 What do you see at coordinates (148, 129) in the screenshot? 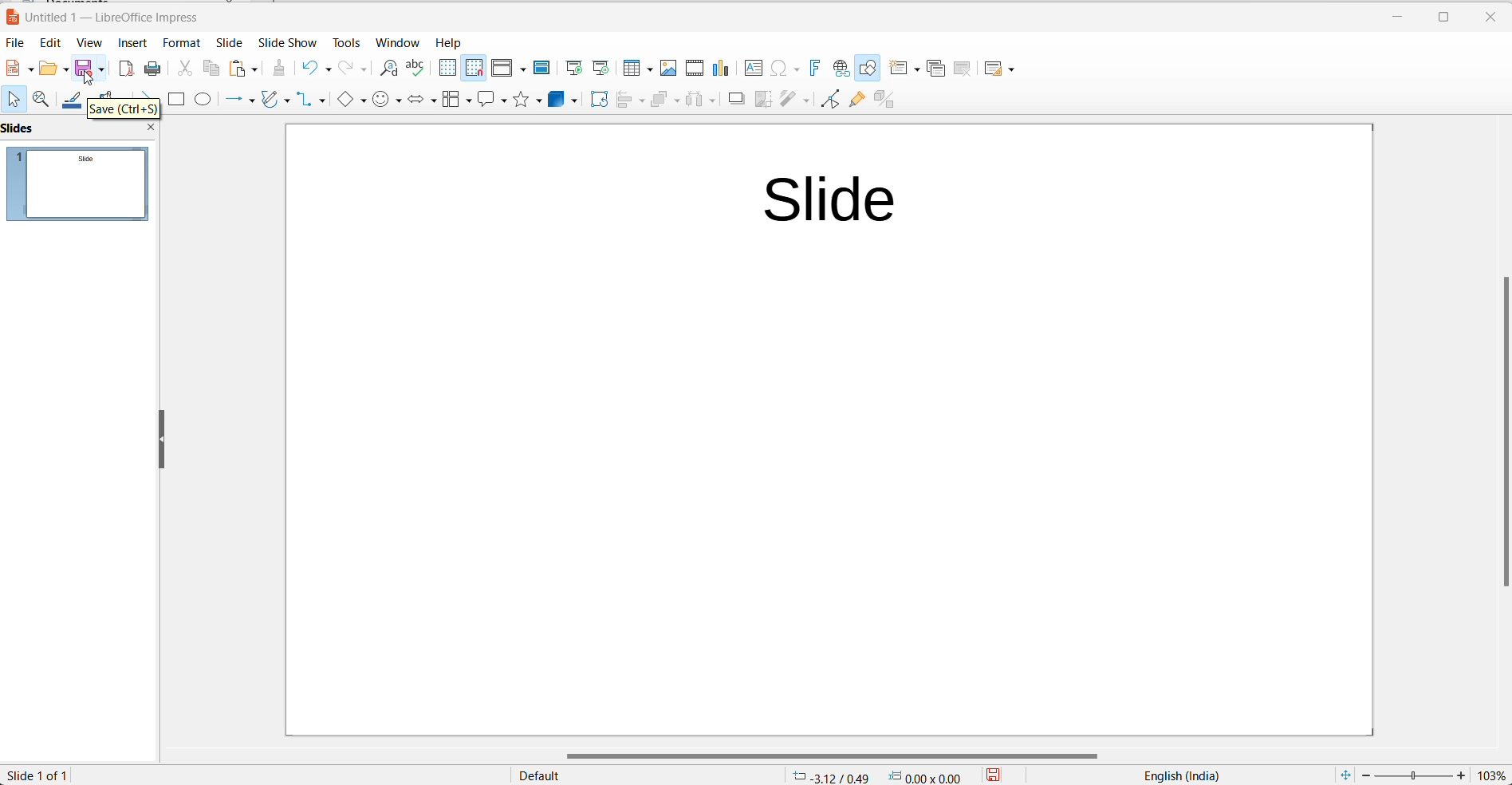
I see `close` at bounding box center [148, 129].